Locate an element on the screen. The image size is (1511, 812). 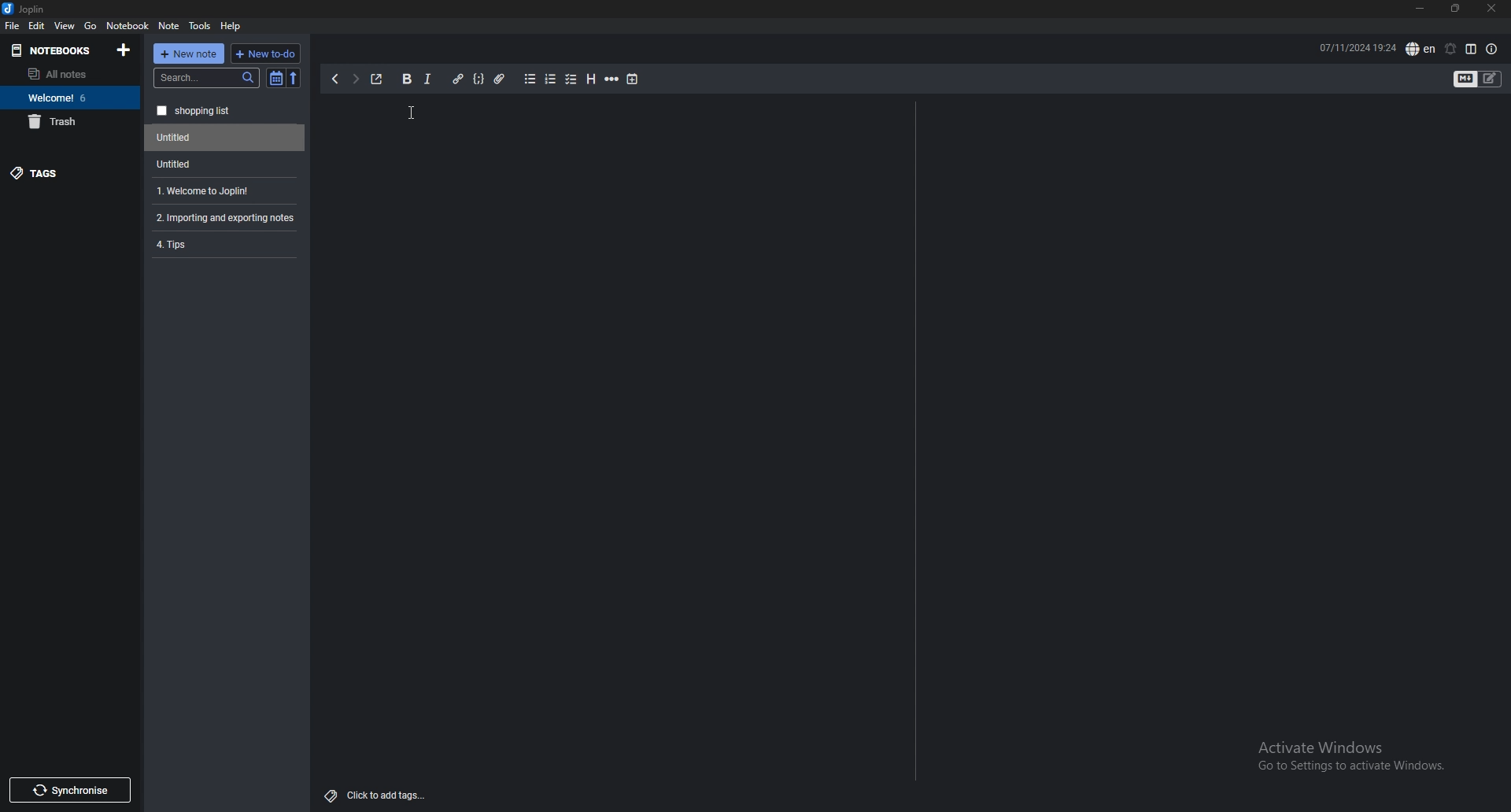
shopping list is located at coordinates (225, 111).